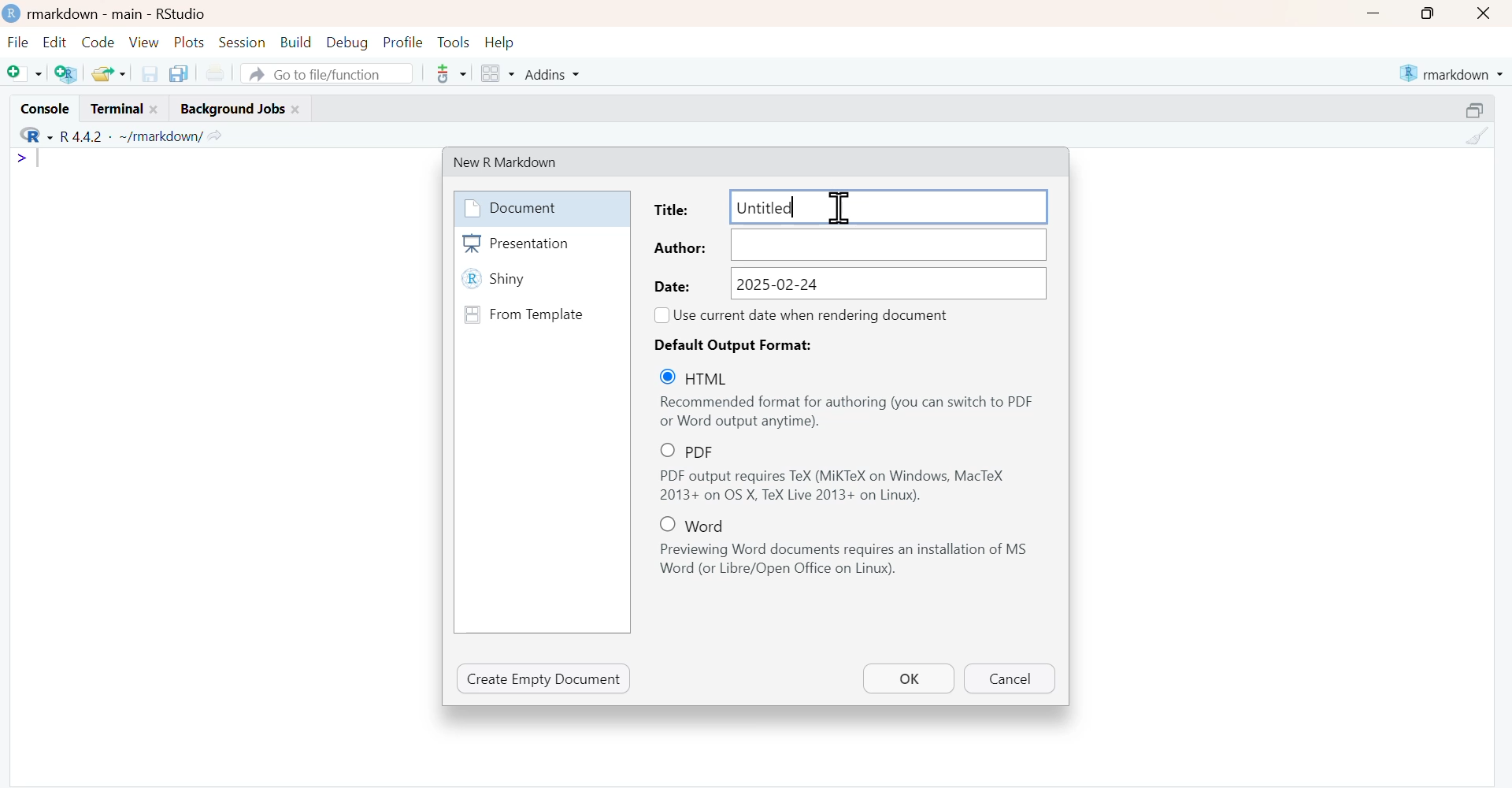 This screenshot has height=788, width=1512. I want to click on Author, so click(849, 245).